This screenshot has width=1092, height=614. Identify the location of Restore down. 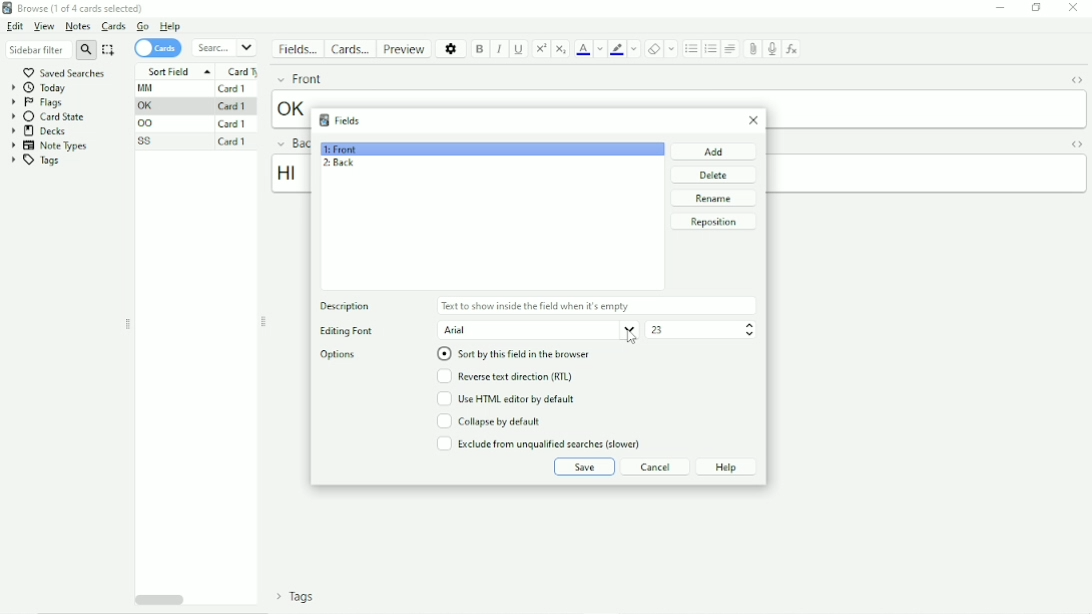
(1037, 8).